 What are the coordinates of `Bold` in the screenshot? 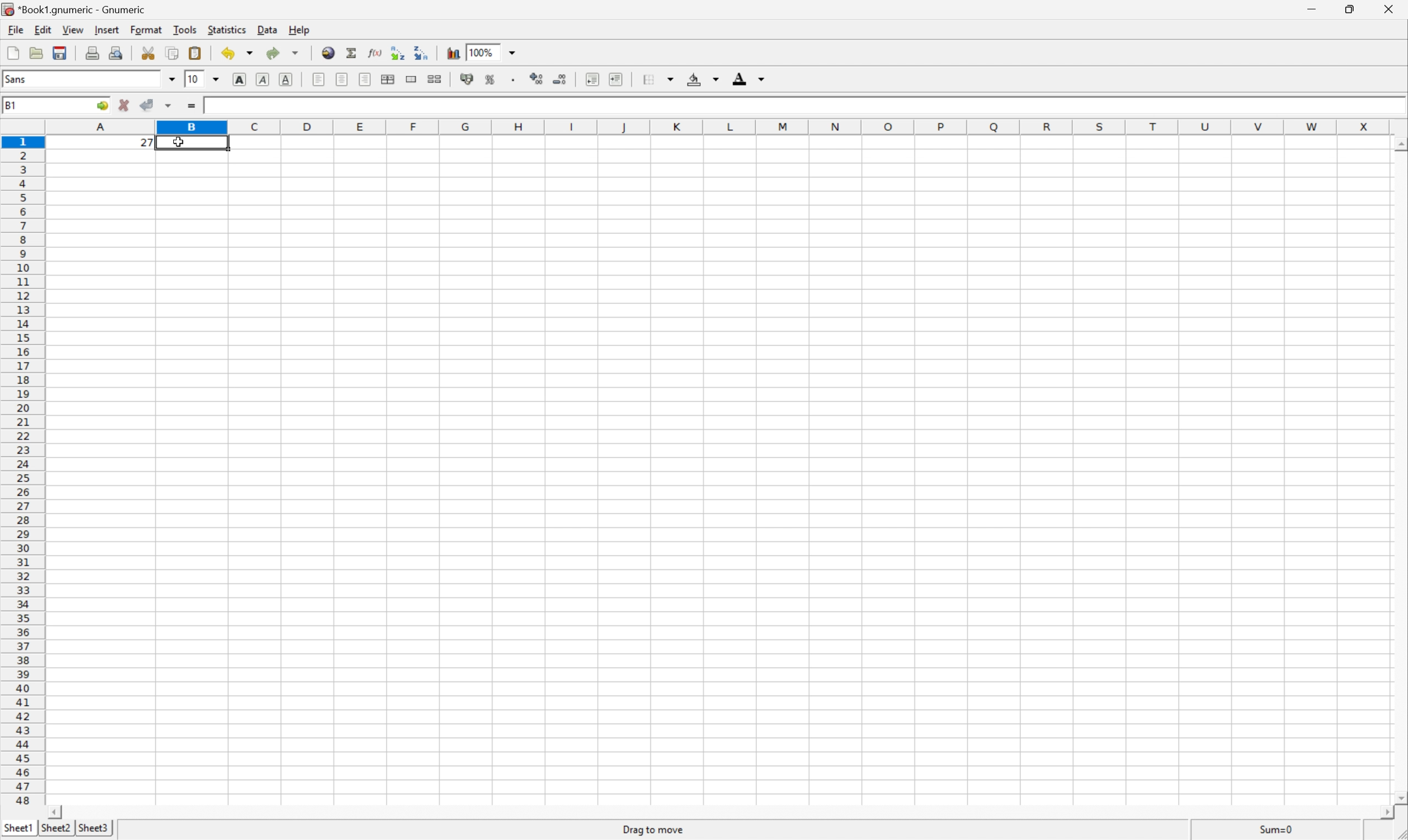 It's located at (238, 79).